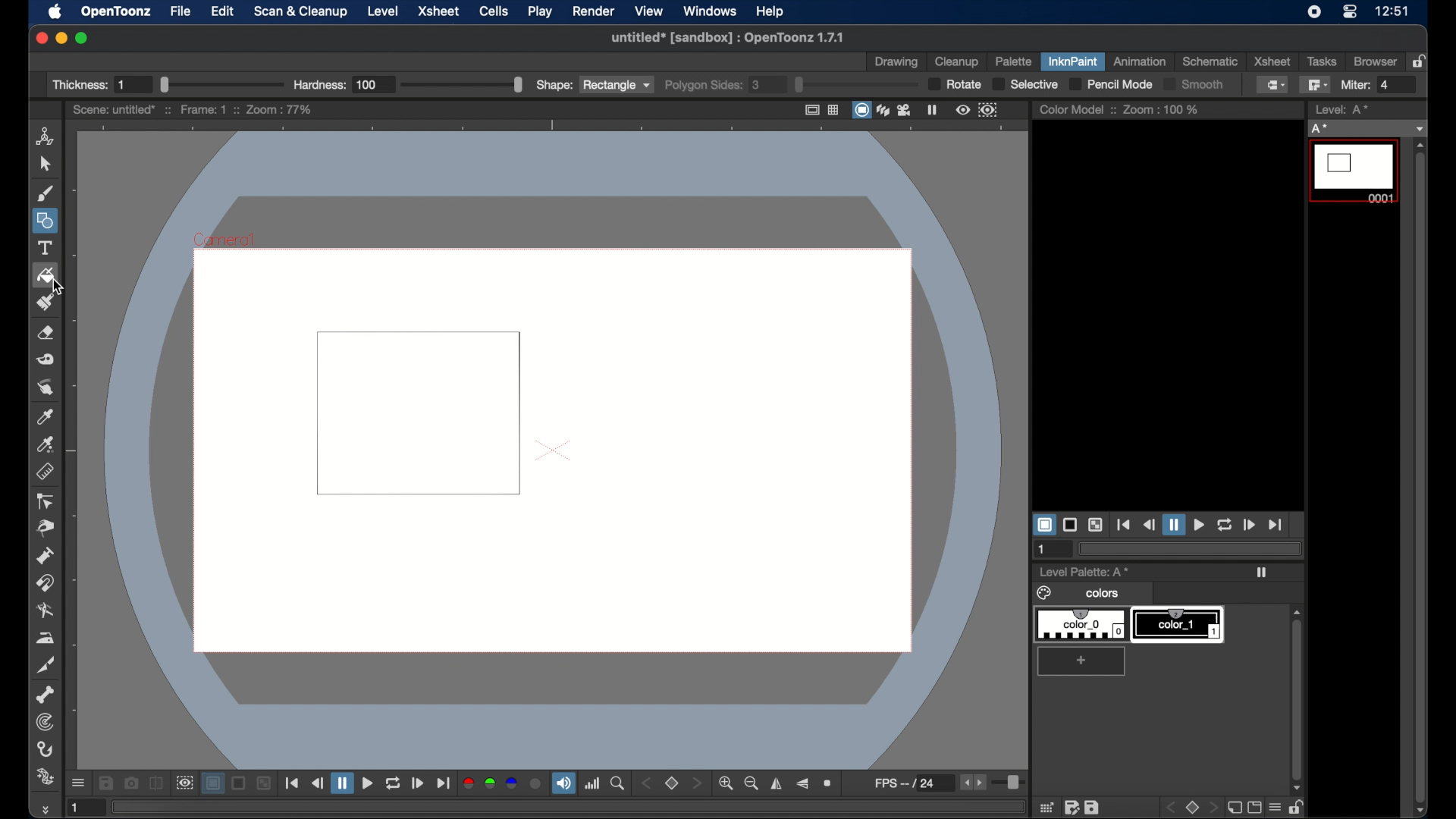  I want to click on pencil mode, so click(1109, 85).